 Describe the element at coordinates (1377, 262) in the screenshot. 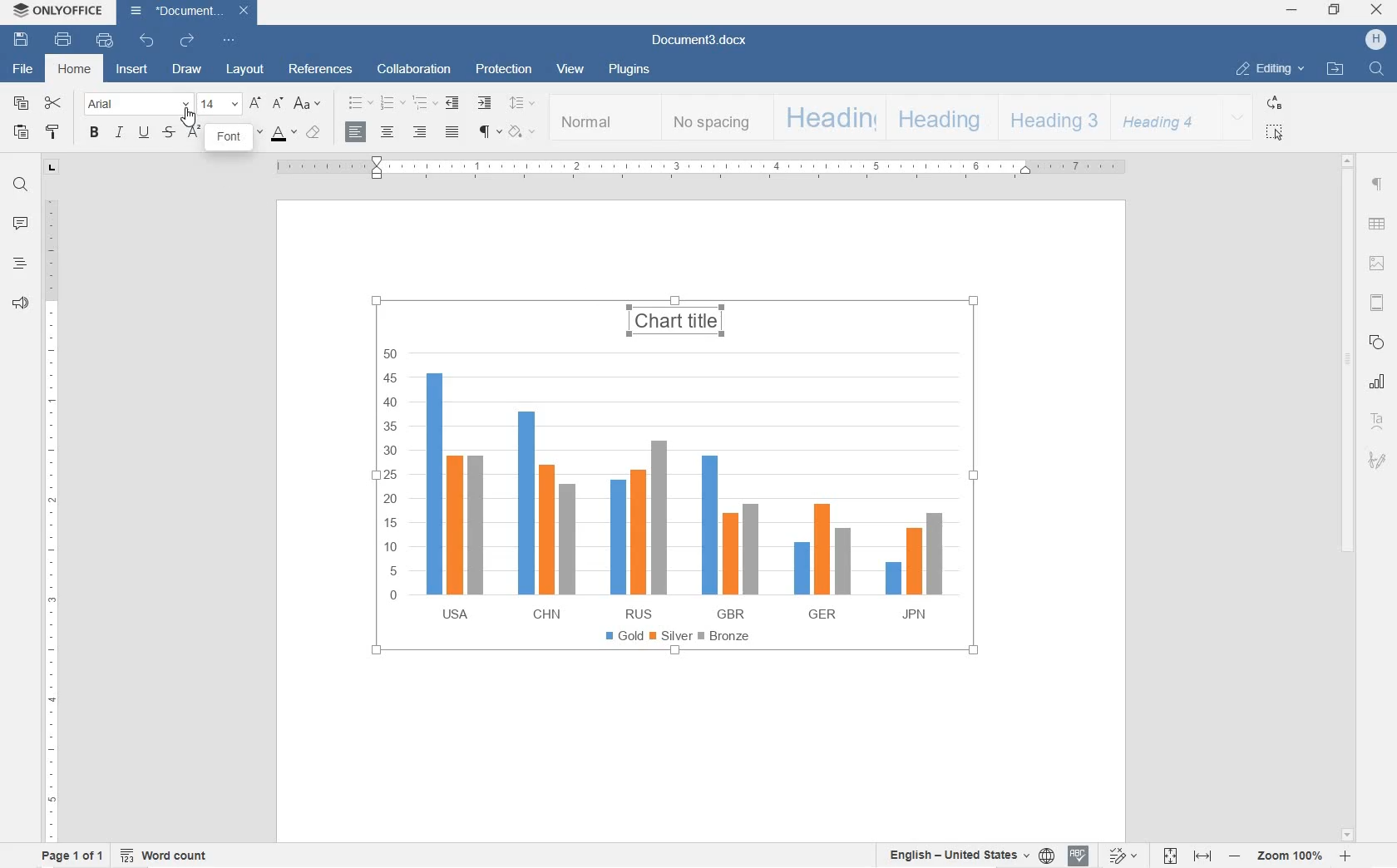

I see `IMAGE SETTINGS` at that location.